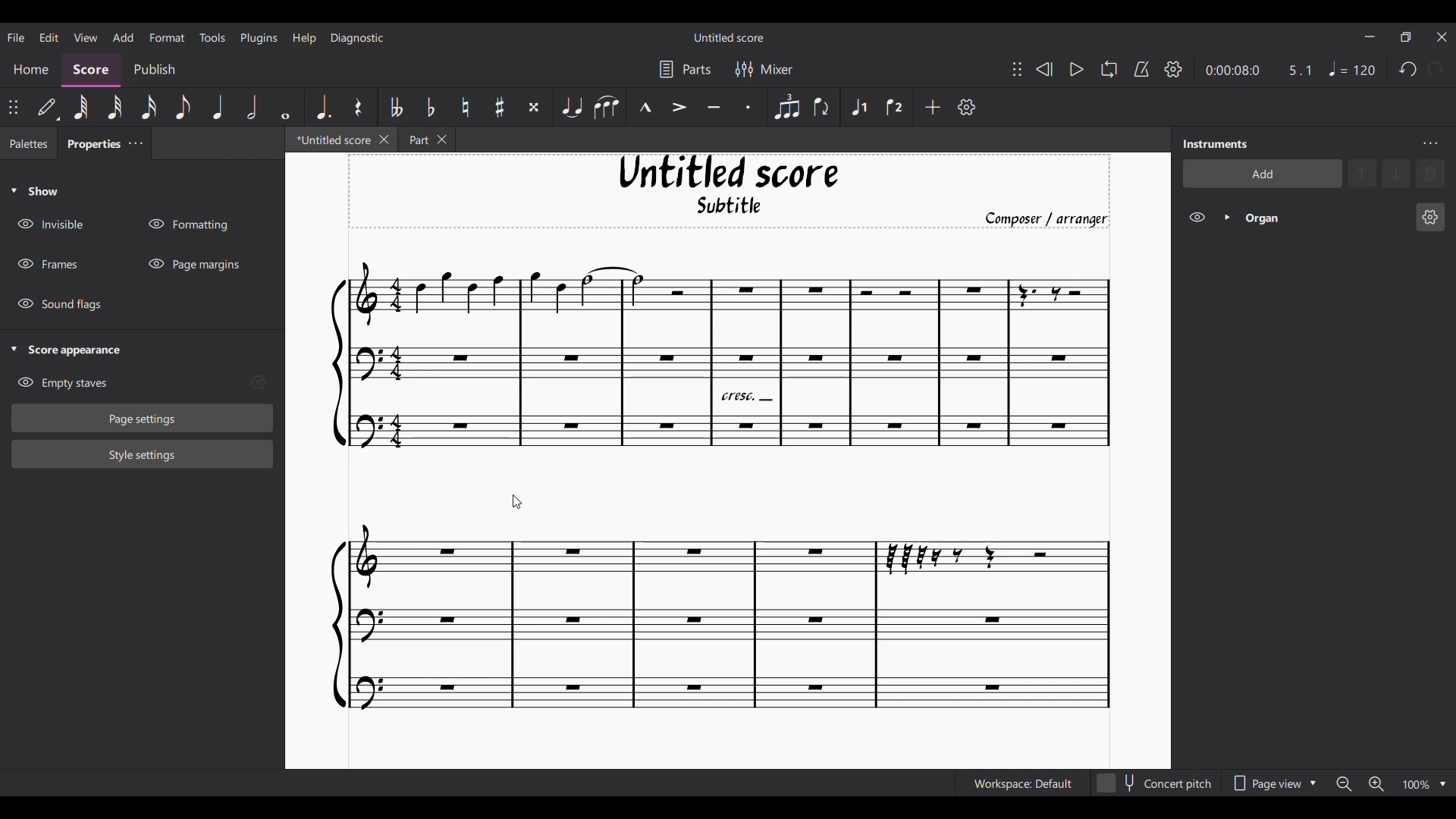 Image resolution: width=1456 pixels, height=819 pixels. I want to click on 16th note, so click(150, 107).